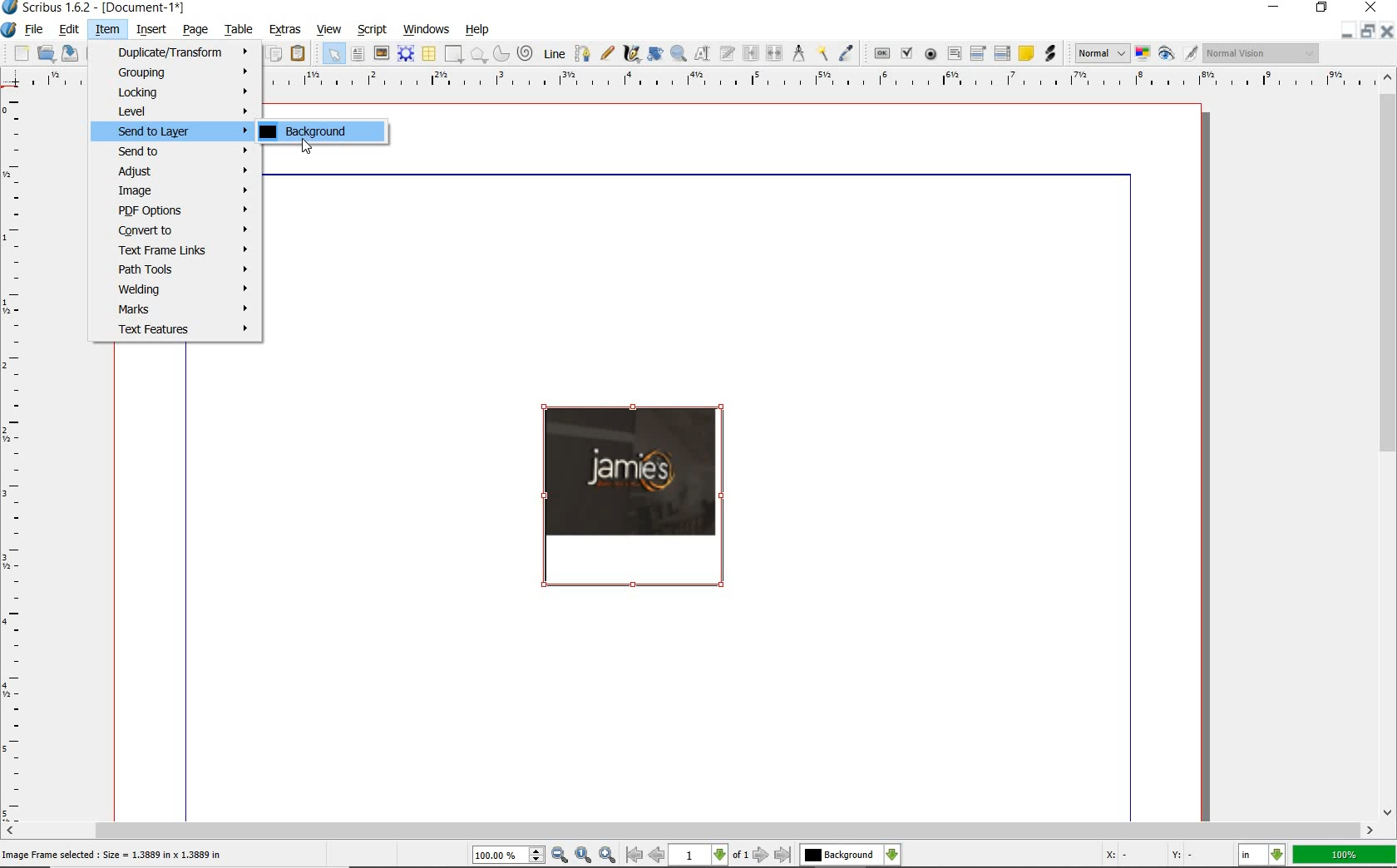  I want to click on Previous Page, so click(658, 857).